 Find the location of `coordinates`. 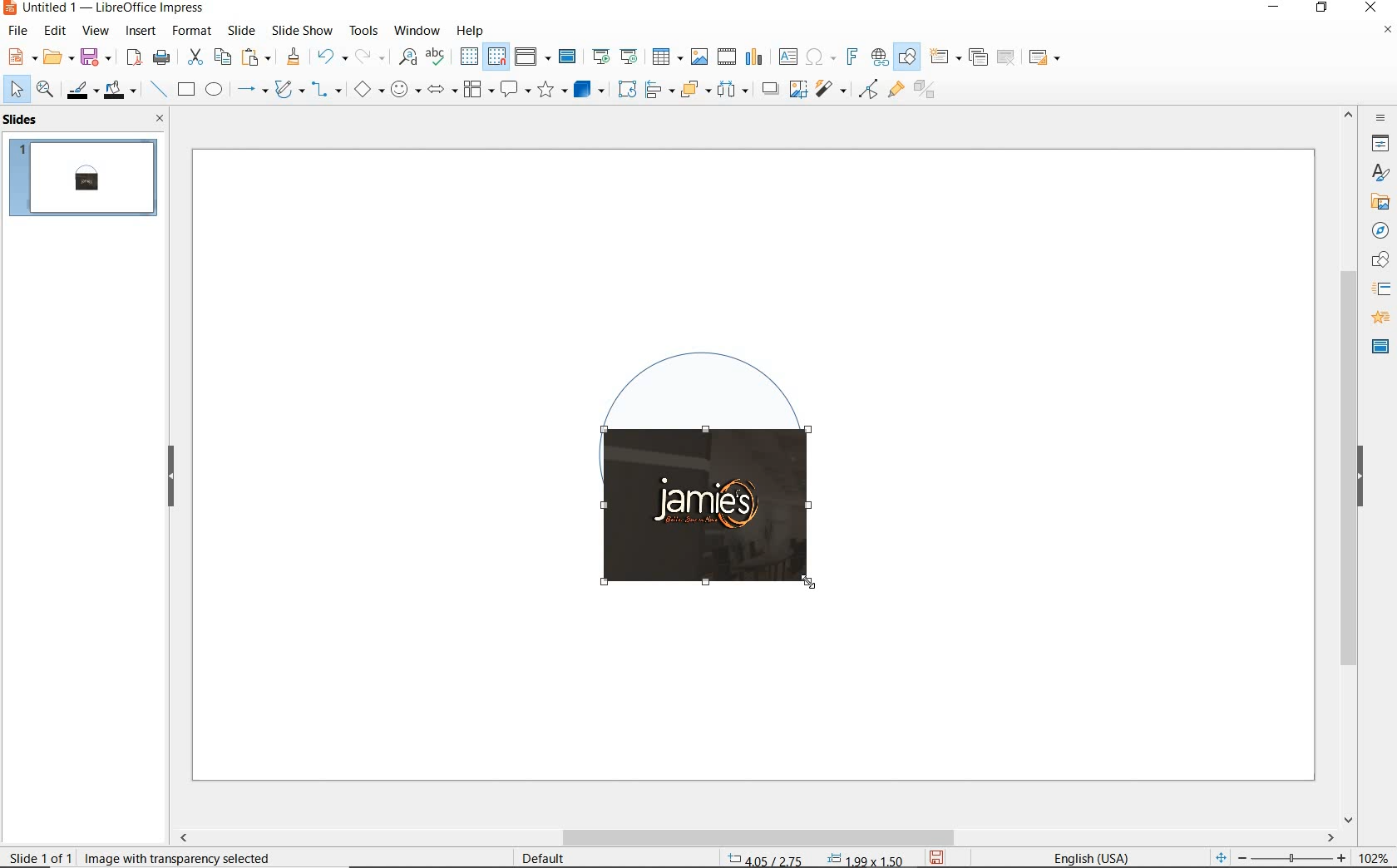

coordinates is located at coordinates (813, 860).